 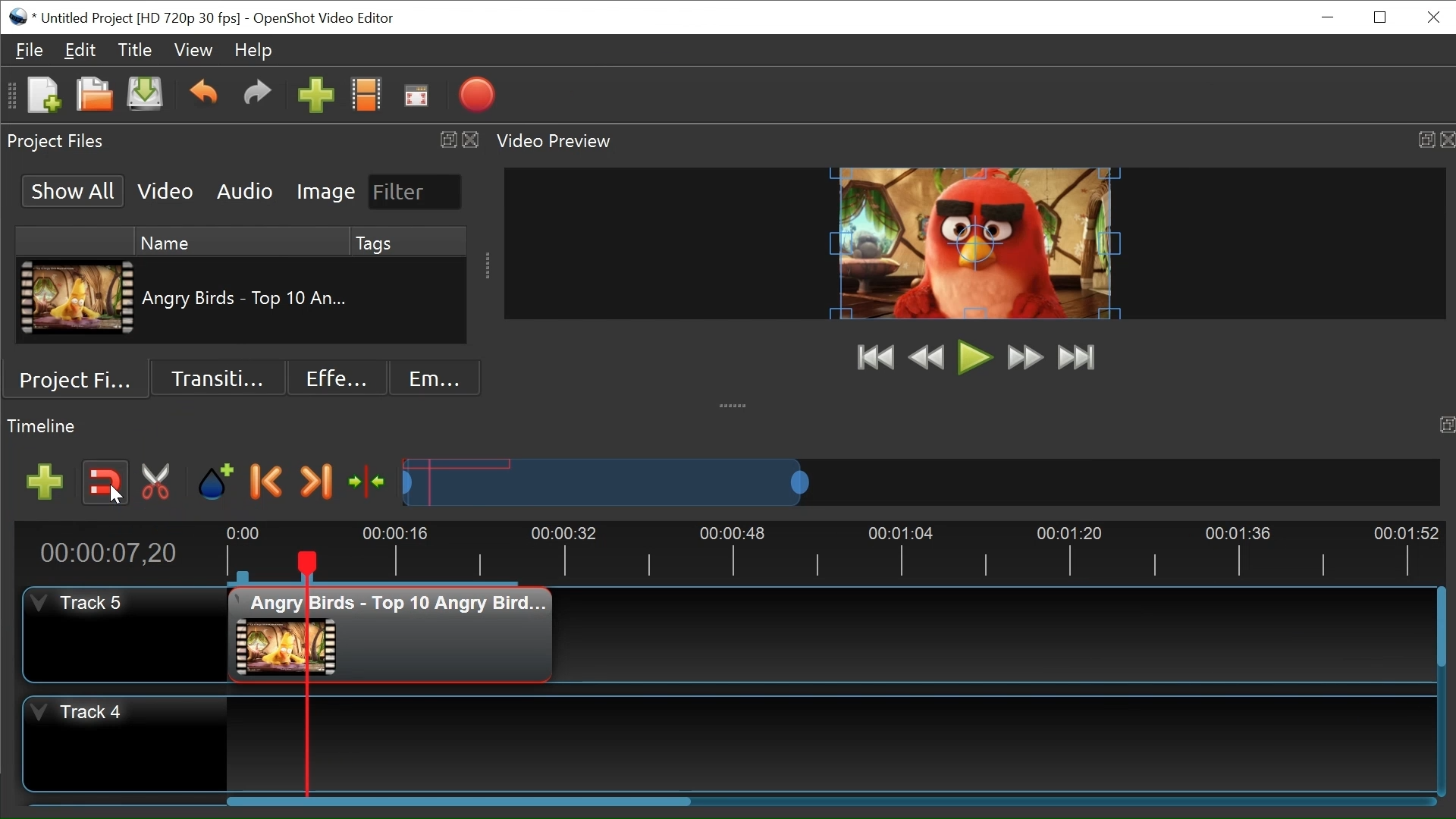 What do you see at coordinates (243, 191) in the screenshot?
I see `Audio` at bounding box center [243, 191].